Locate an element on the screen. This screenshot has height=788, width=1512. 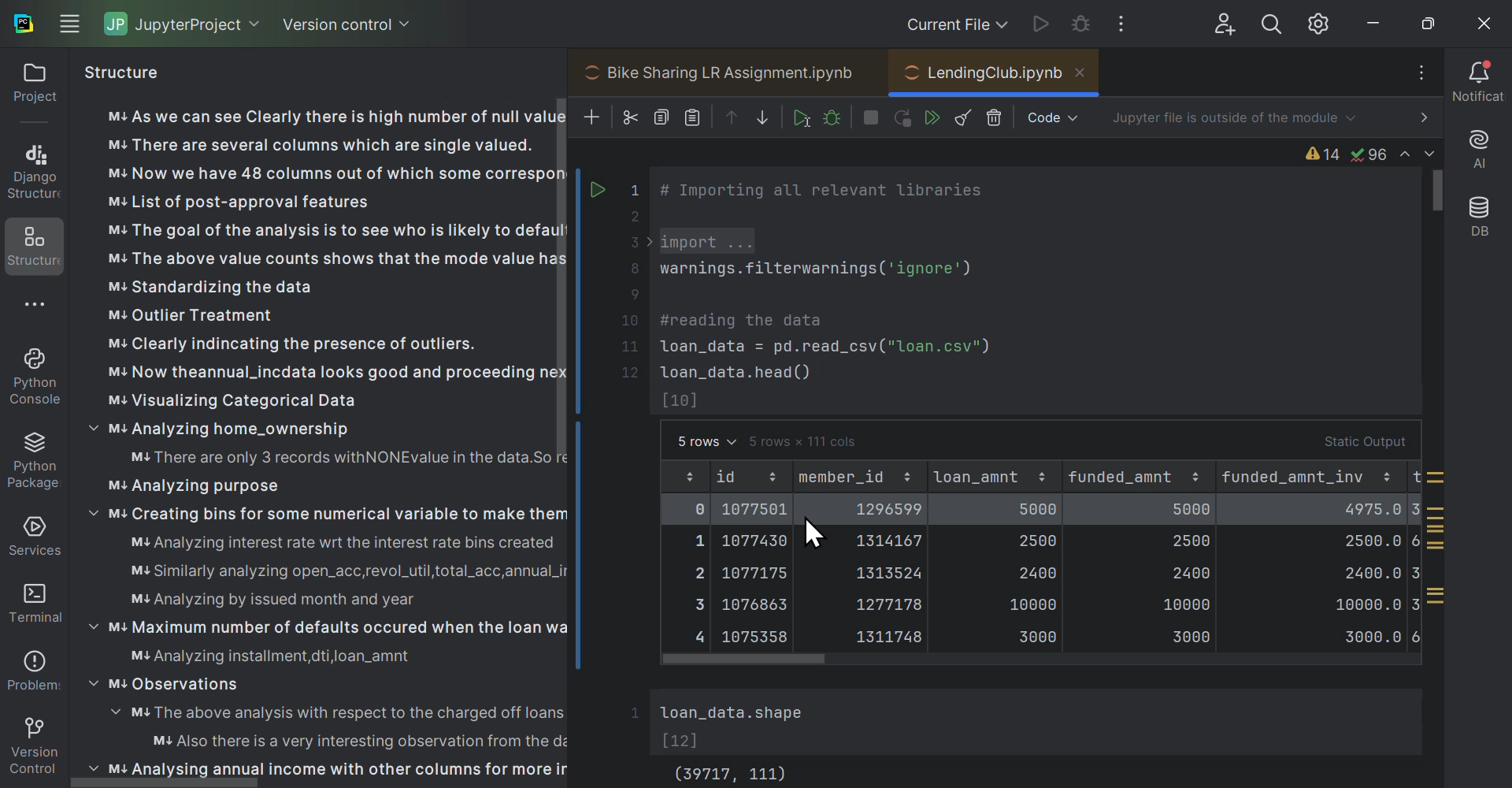
Version control is located at coordinates (348, 23).